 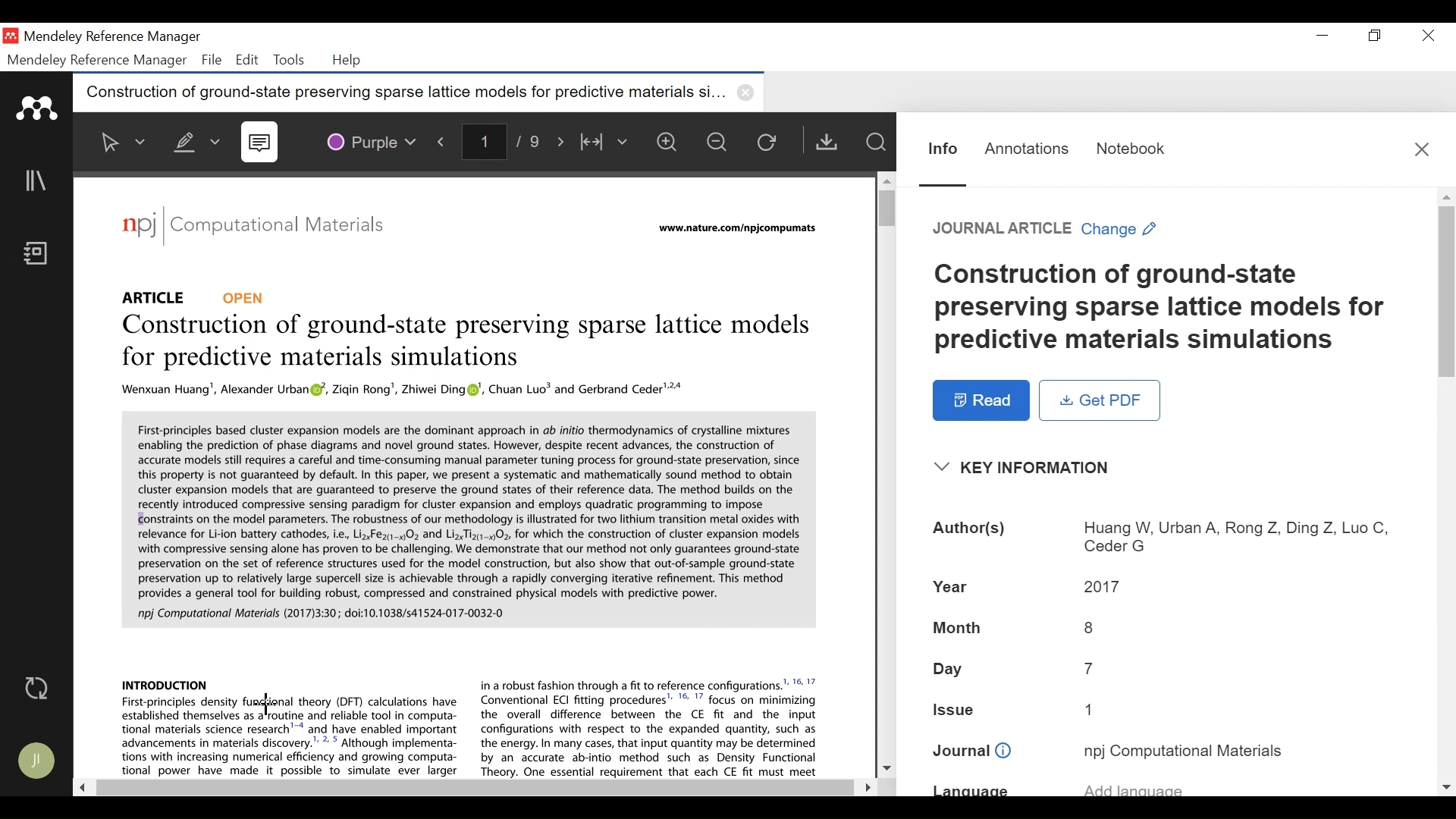 What do you see at coordinates (83, 789) in the screenshot?
I see `Scroll Left` at bounding box center [83, 789].